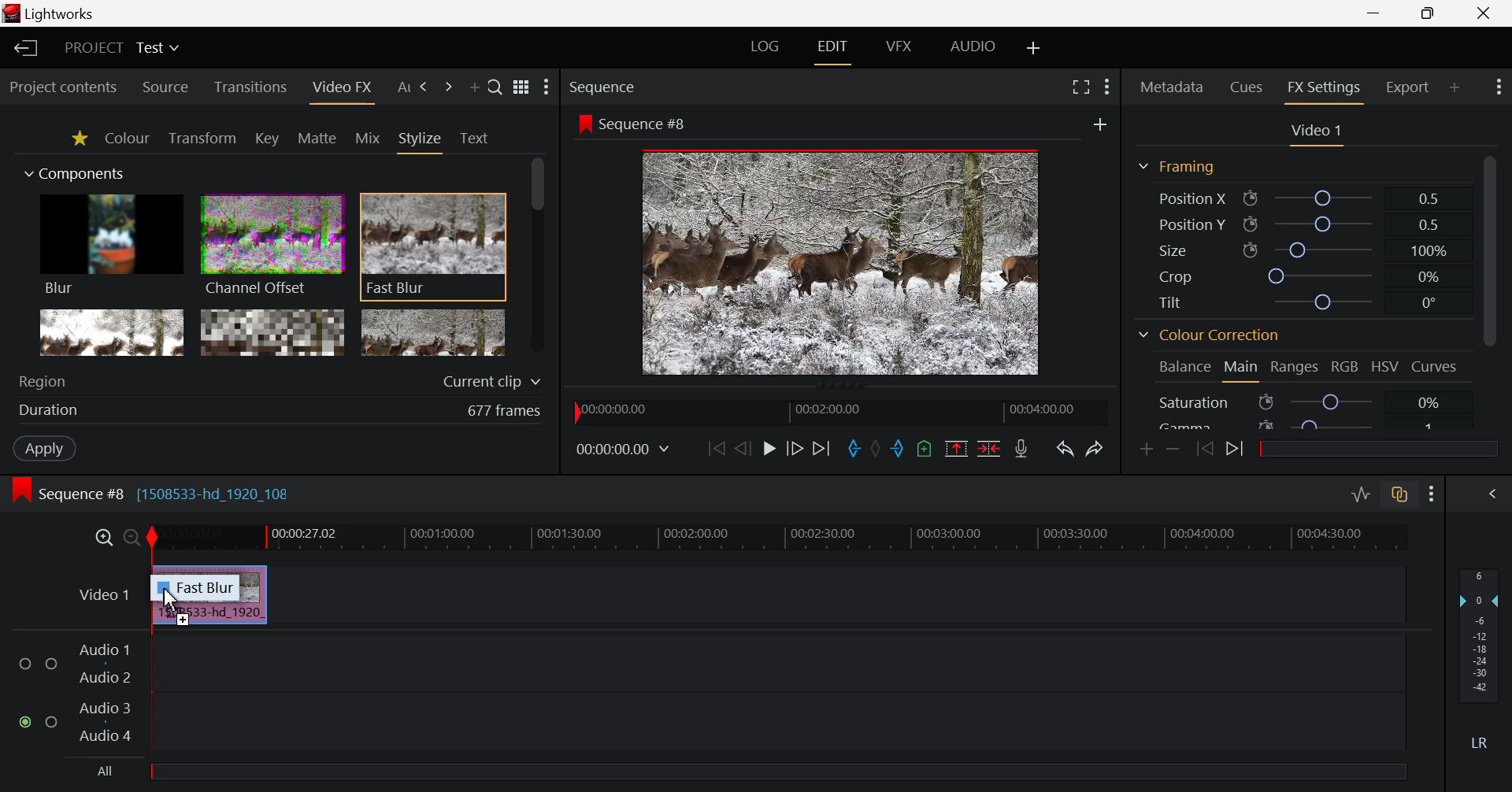 Image resolution: width=1512 pixels, height=792 pixels. I want to click on Video Settings Section, so click(1315, 132).